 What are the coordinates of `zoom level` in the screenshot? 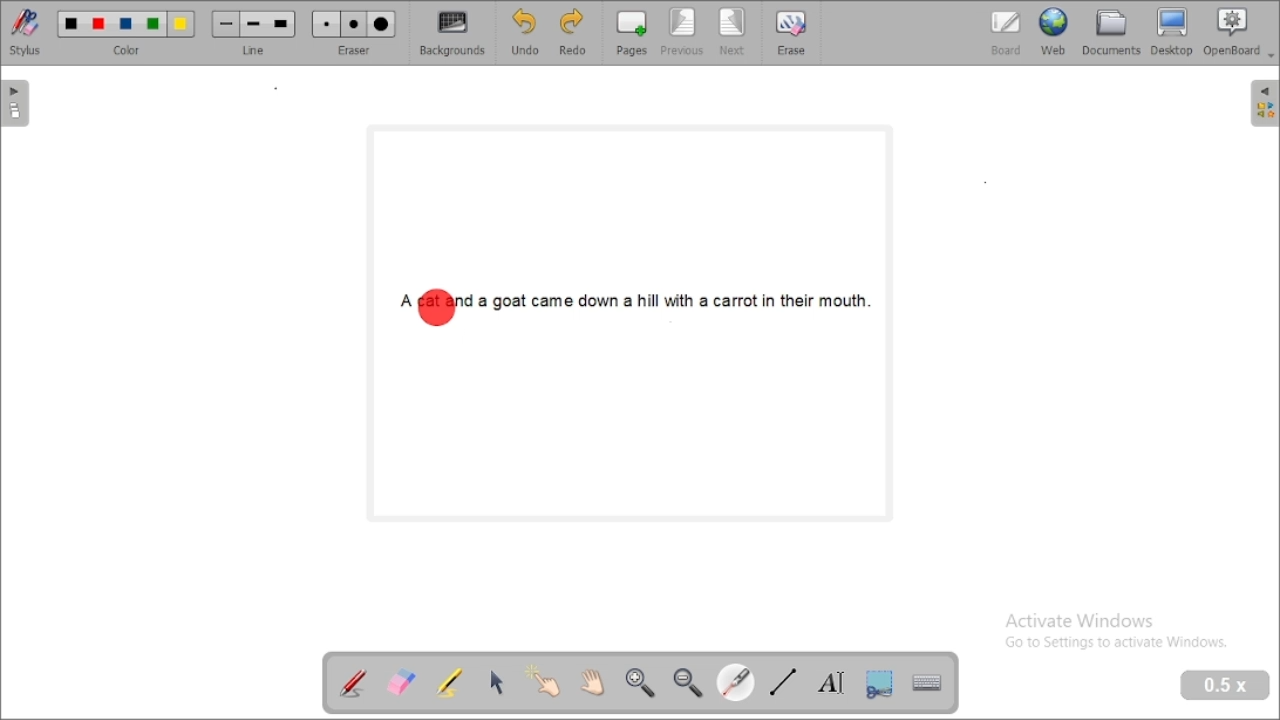 It's located at (1226, 686).